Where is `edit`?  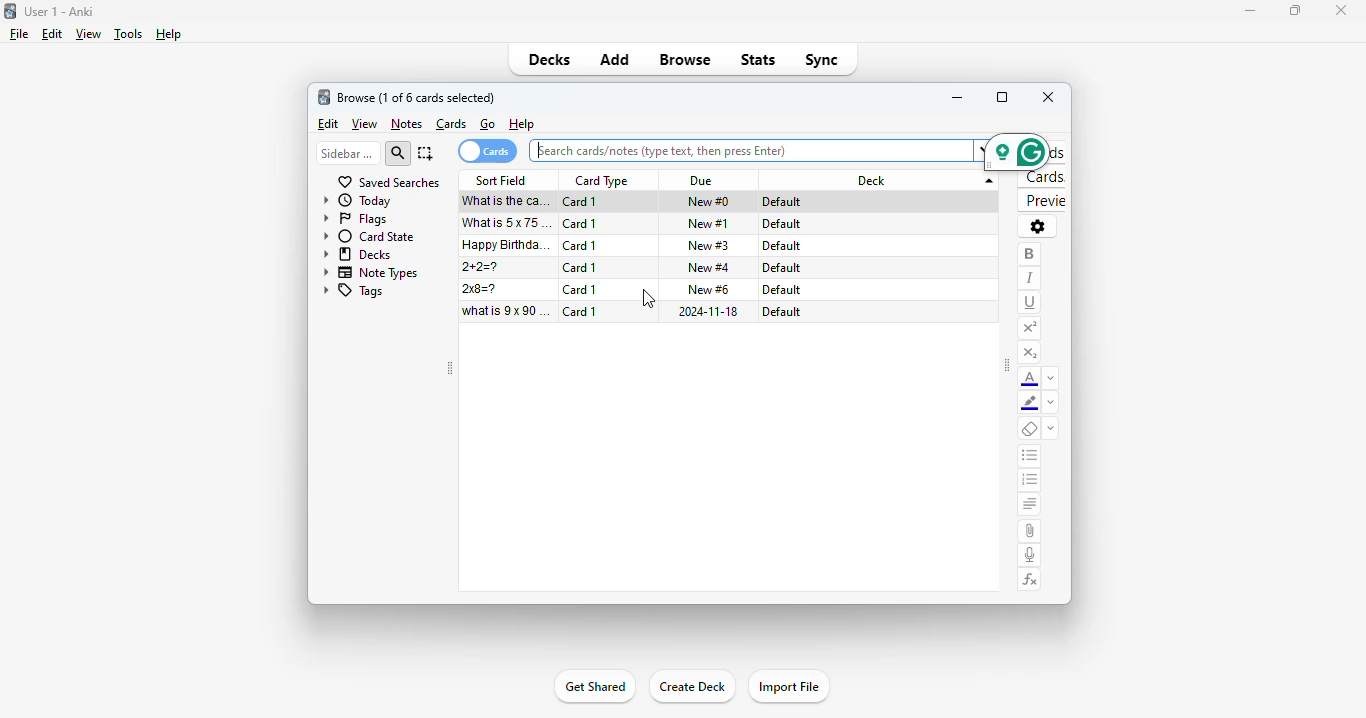 edit is located at coordinates (327, 124).